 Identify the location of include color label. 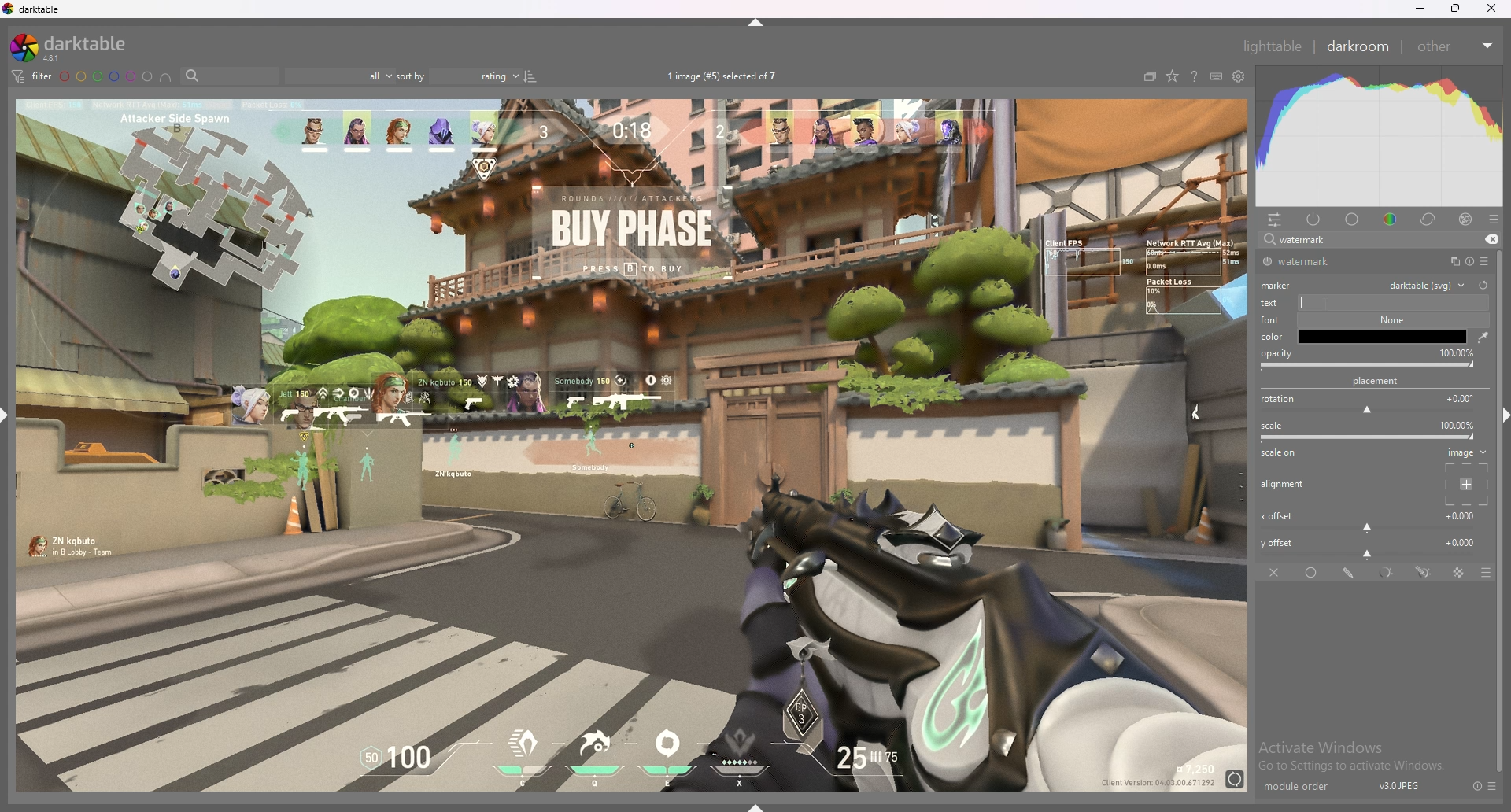
(165, 77).